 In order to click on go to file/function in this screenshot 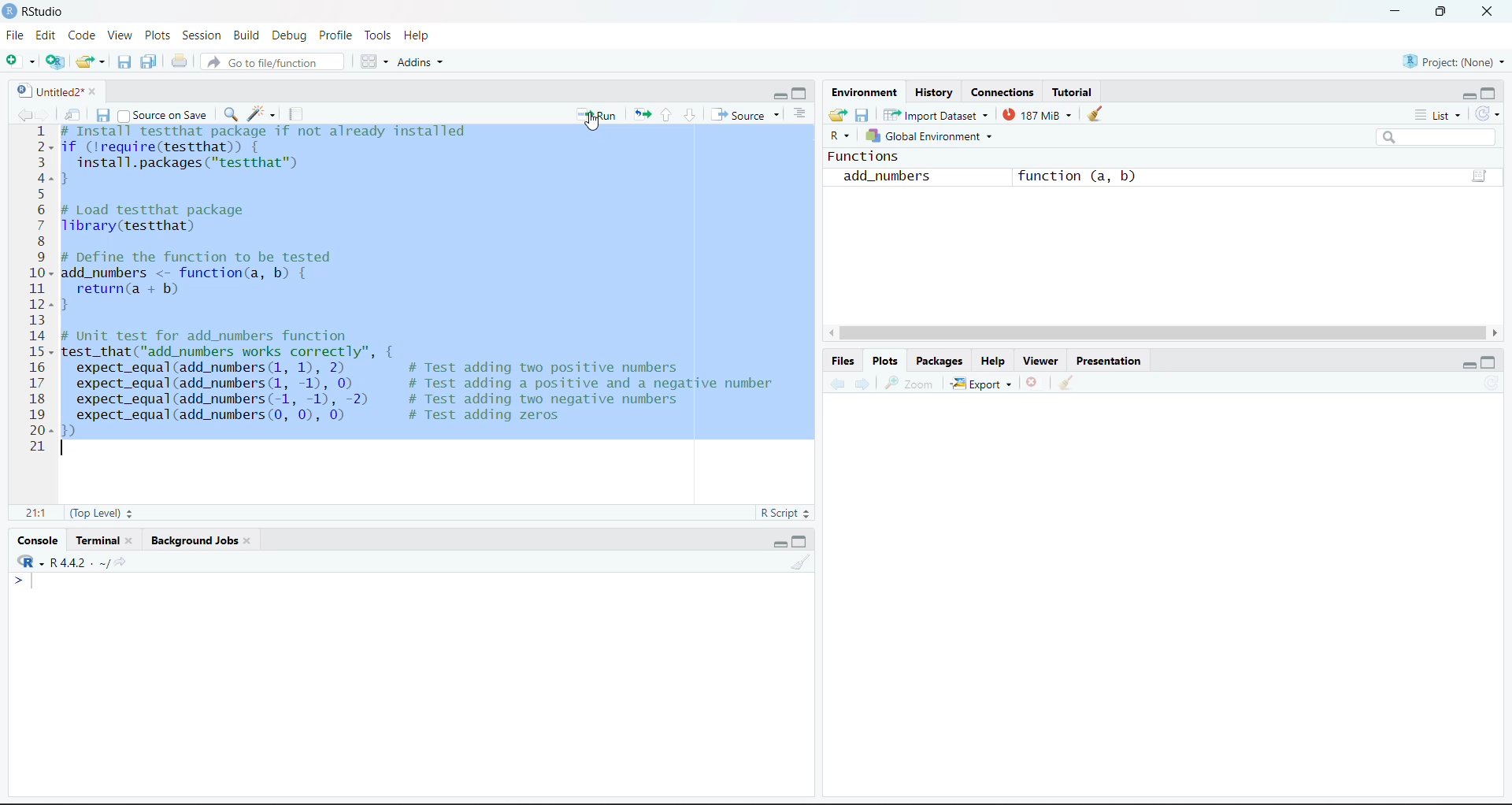, I will do `click(271, 62)`.